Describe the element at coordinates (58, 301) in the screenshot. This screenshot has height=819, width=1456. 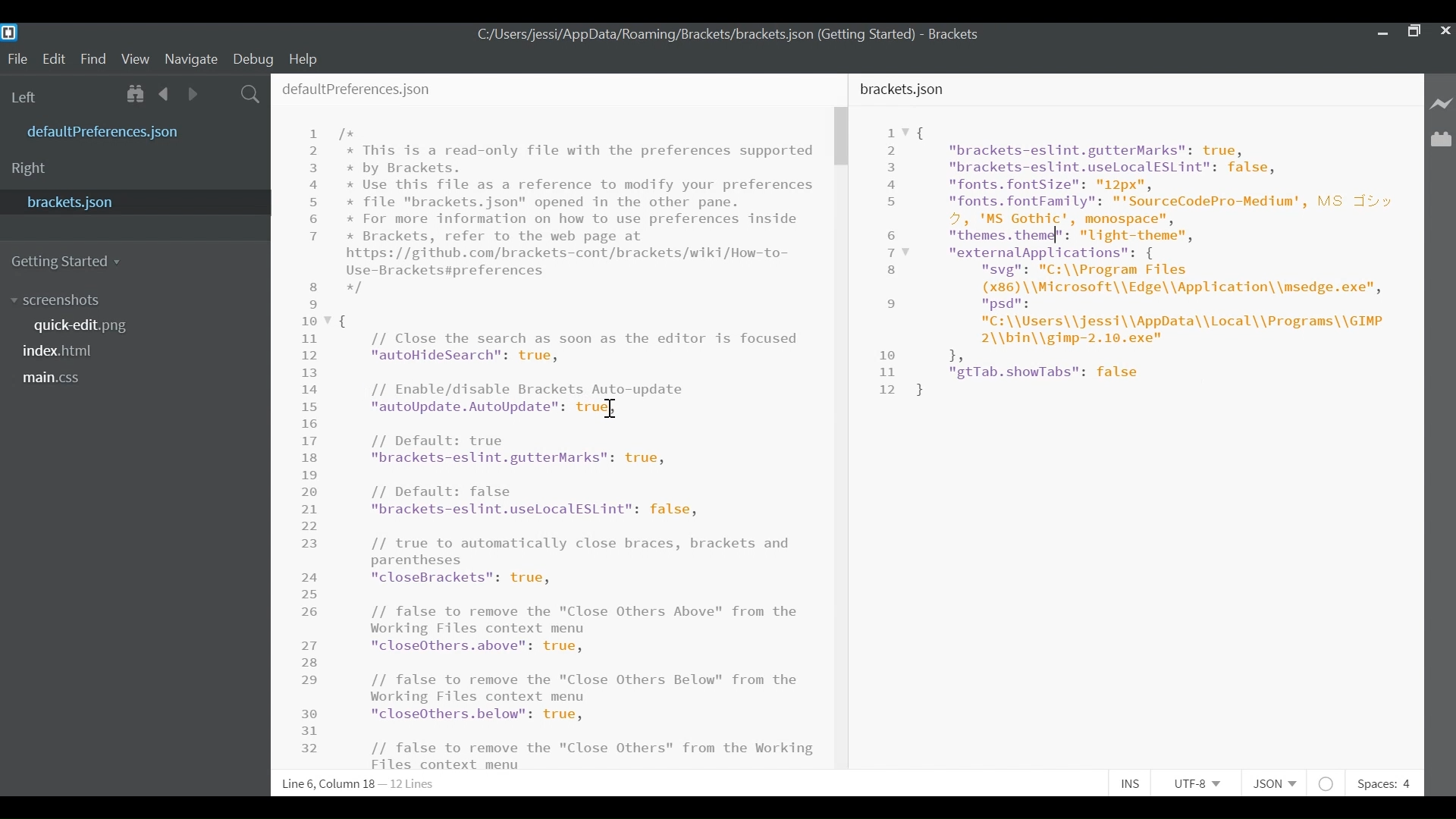
I see `Screenshot` at that location.